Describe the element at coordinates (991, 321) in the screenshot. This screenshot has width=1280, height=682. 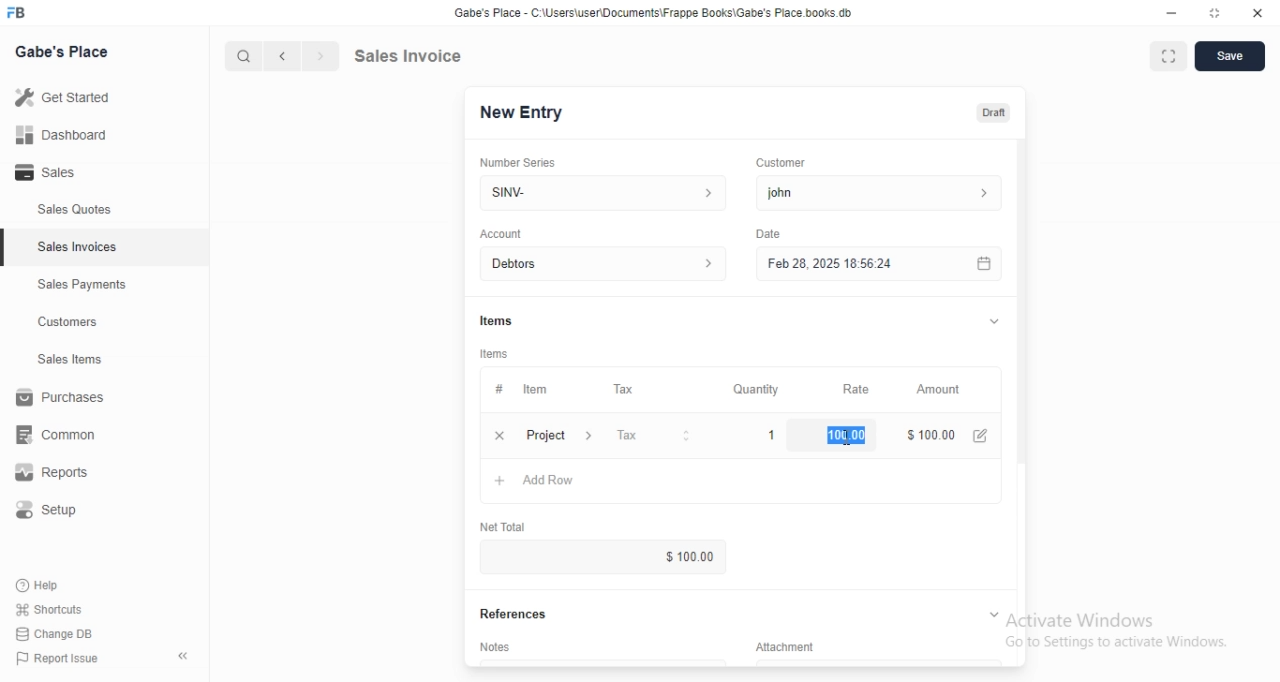
I see `collapse` at that location.